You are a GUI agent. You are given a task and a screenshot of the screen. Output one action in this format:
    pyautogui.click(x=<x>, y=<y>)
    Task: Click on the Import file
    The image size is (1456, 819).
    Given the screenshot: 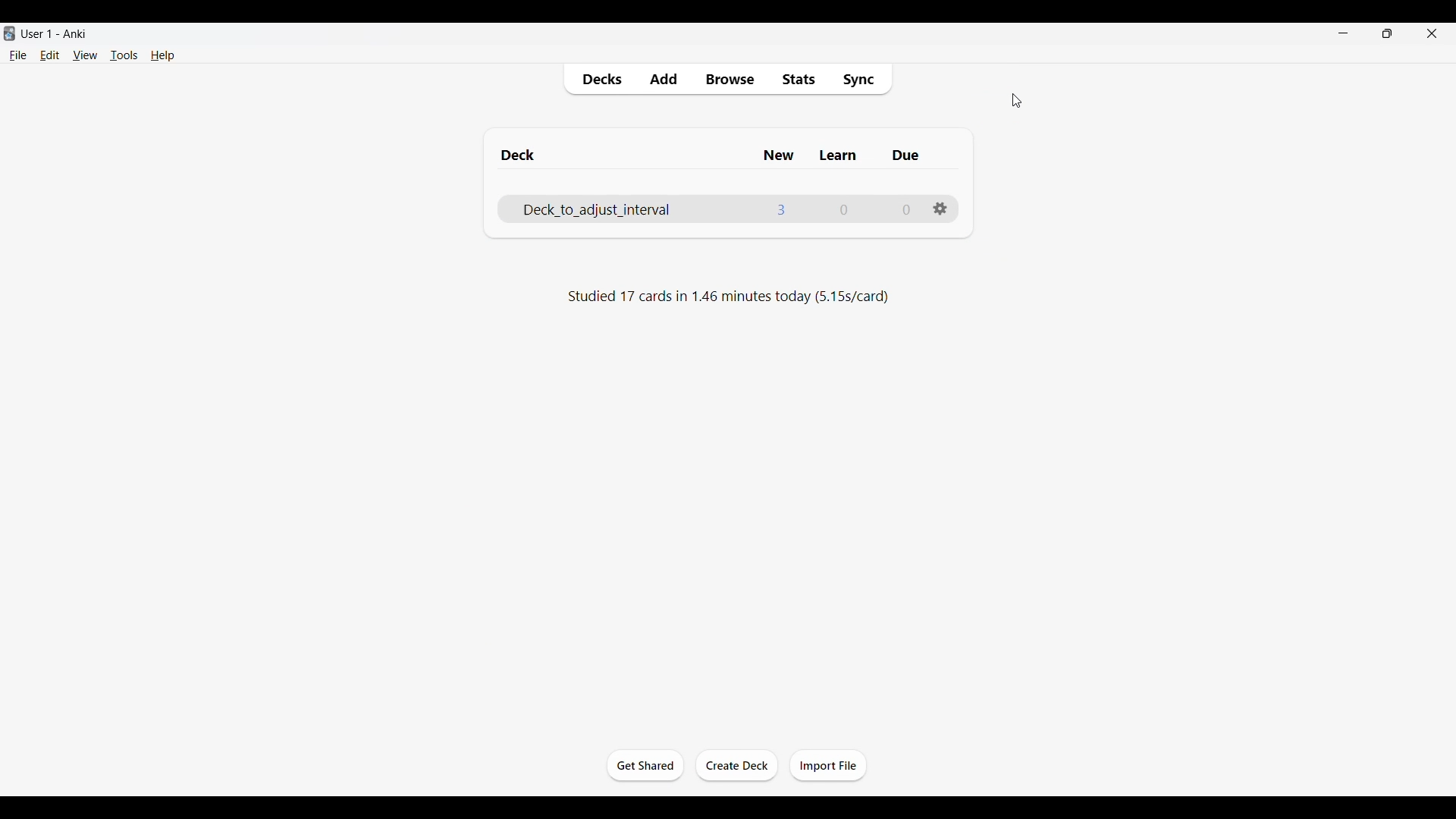 What is the action you would take?
    pyautogui.click(x=827, y=766)
    